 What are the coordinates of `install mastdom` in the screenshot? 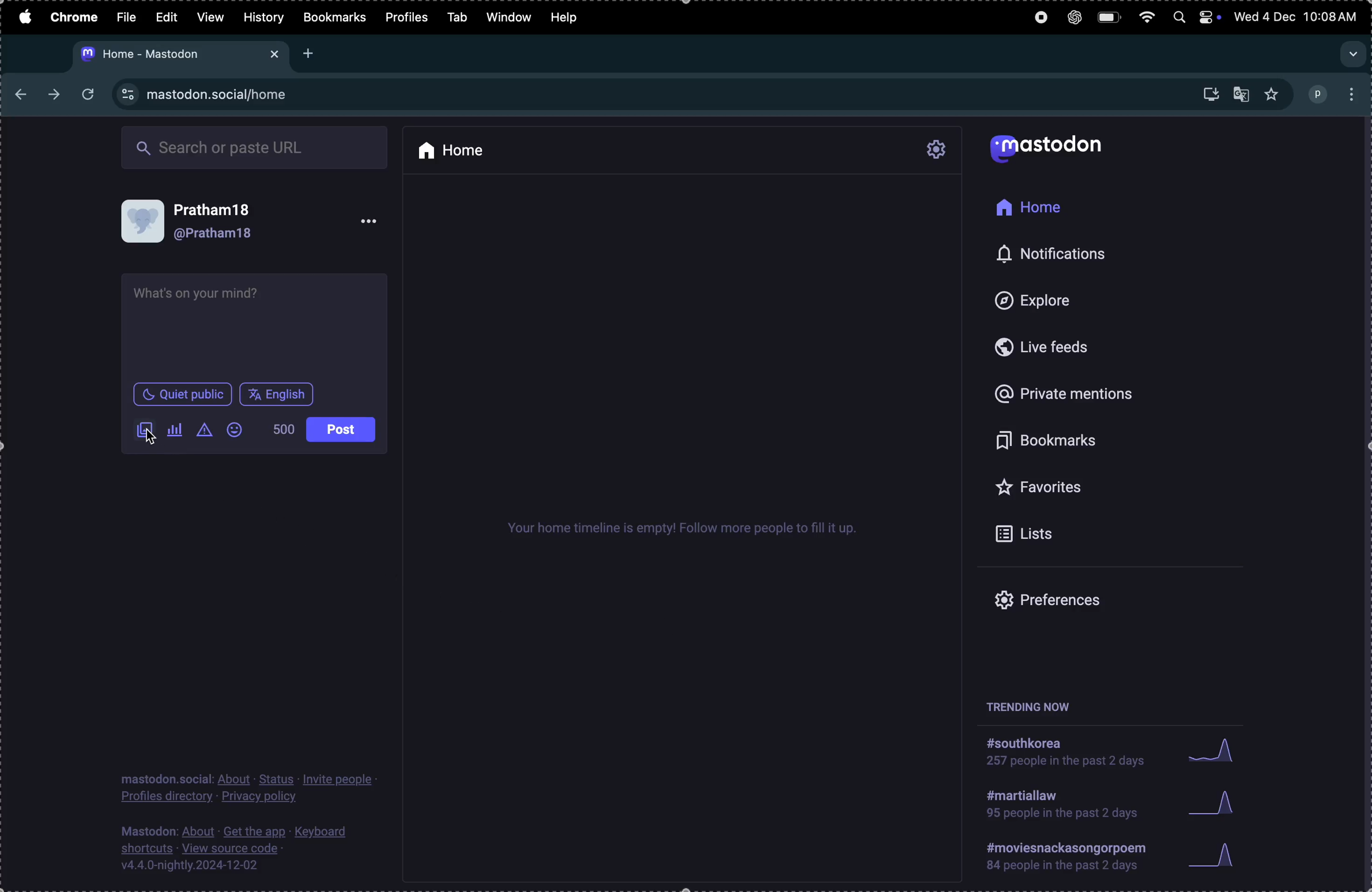 It's located at (1209, 93).